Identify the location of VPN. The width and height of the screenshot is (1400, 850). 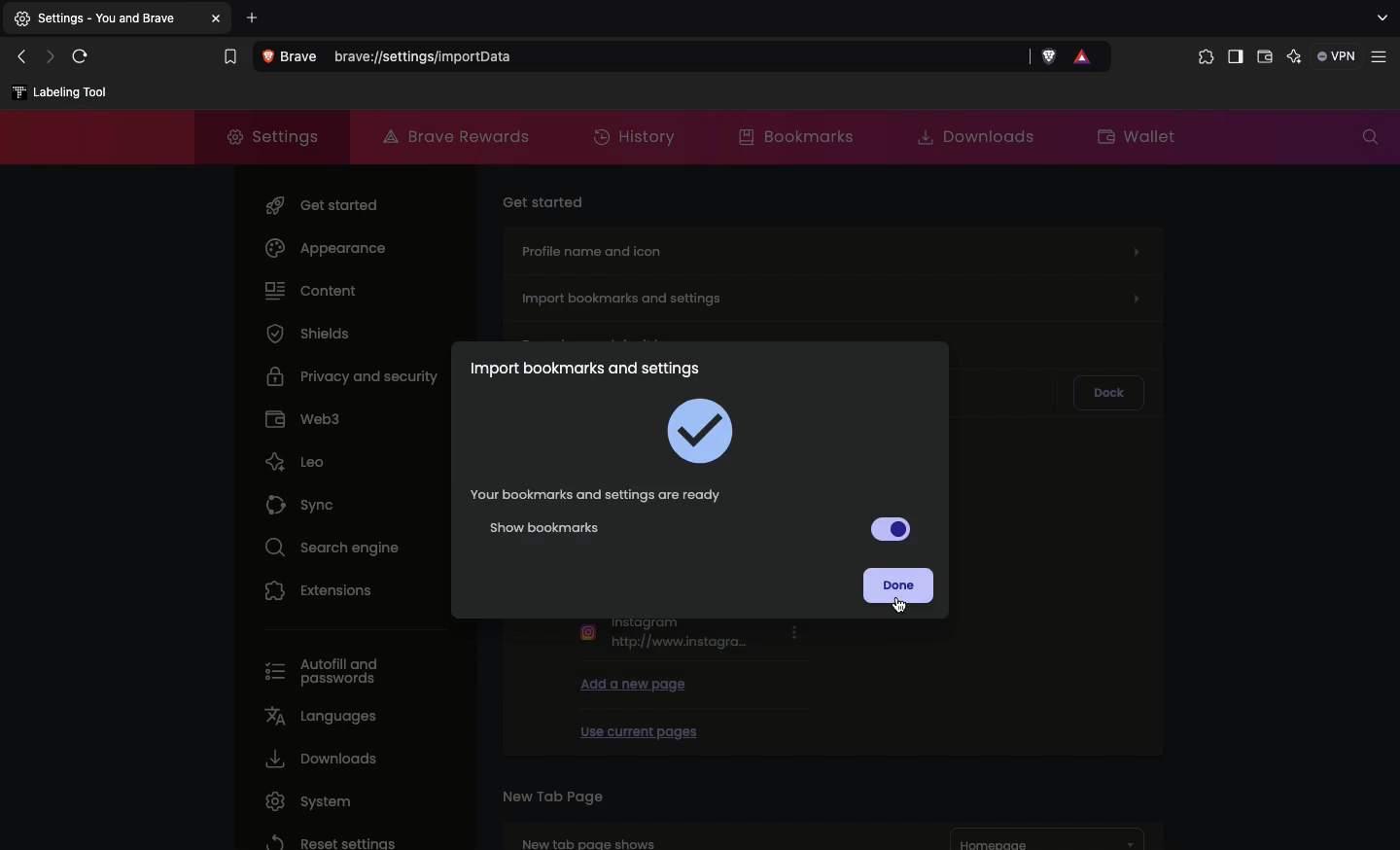
(1338, 55).